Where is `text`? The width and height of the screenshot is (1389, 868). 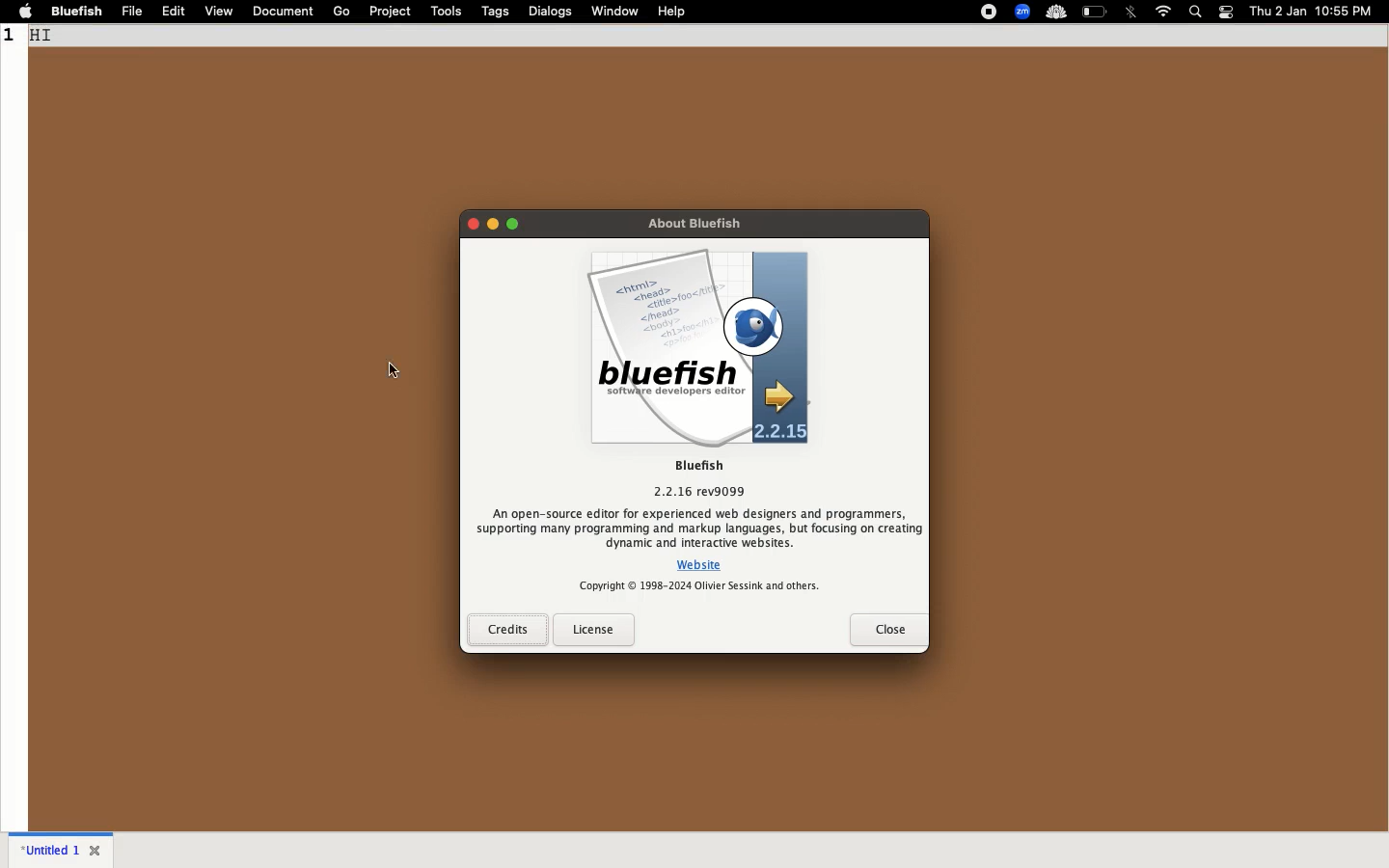
text is located at coordinates (699, 528).